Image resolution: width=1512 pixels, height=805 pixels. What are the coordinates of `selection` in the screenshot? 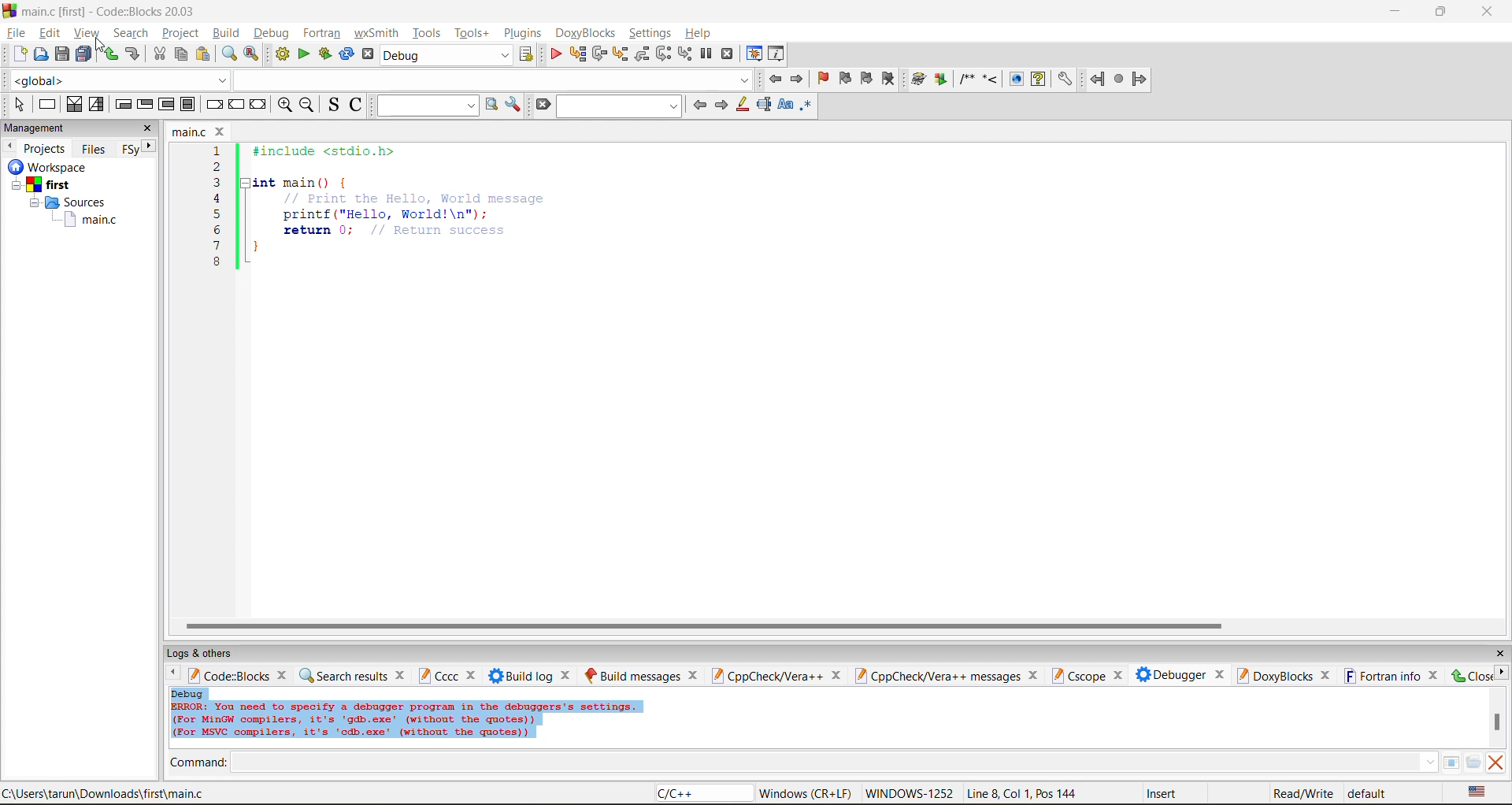 It's located at (94, 104).